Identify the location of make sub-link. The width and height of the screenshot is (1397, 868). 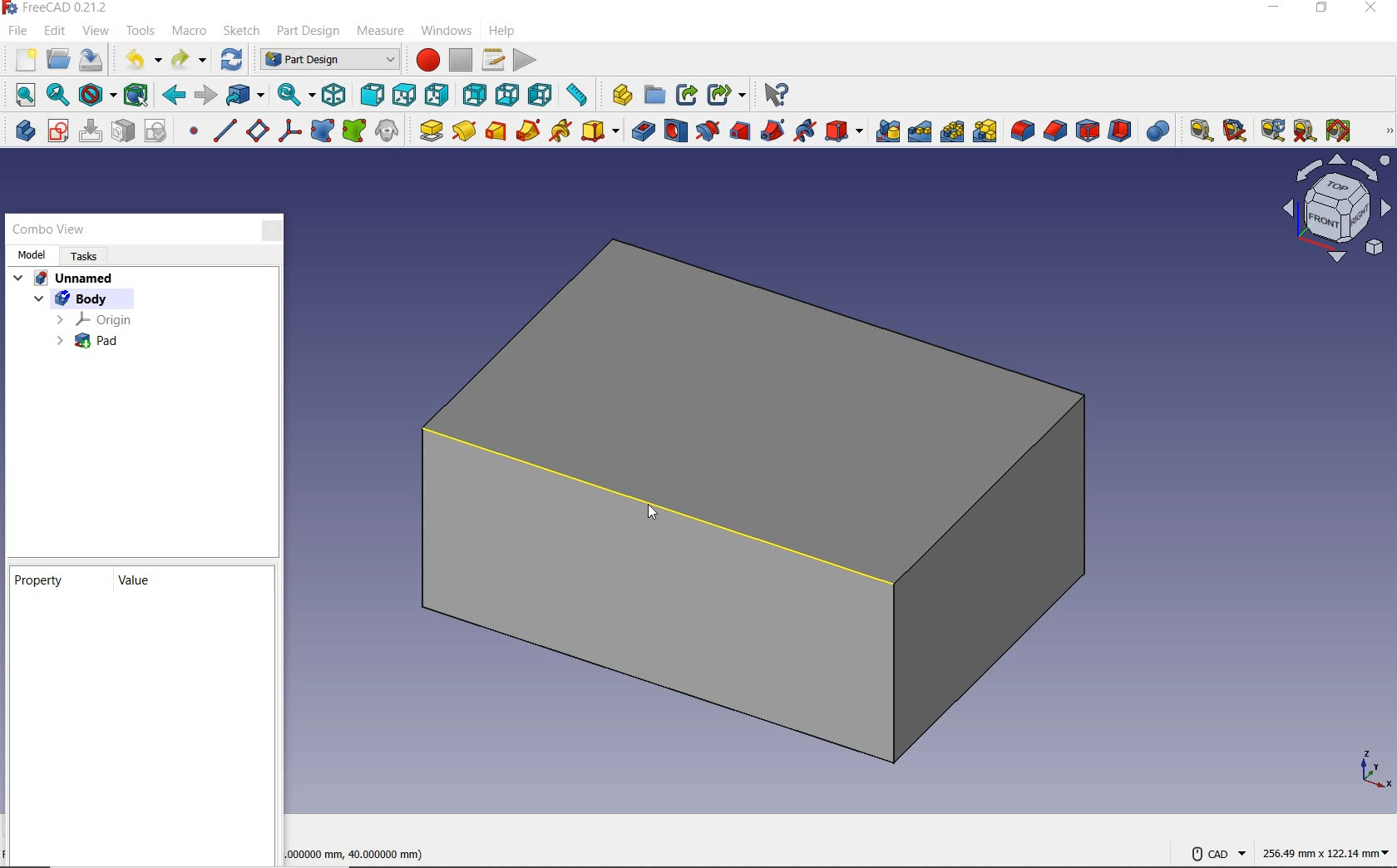
(727, 93).